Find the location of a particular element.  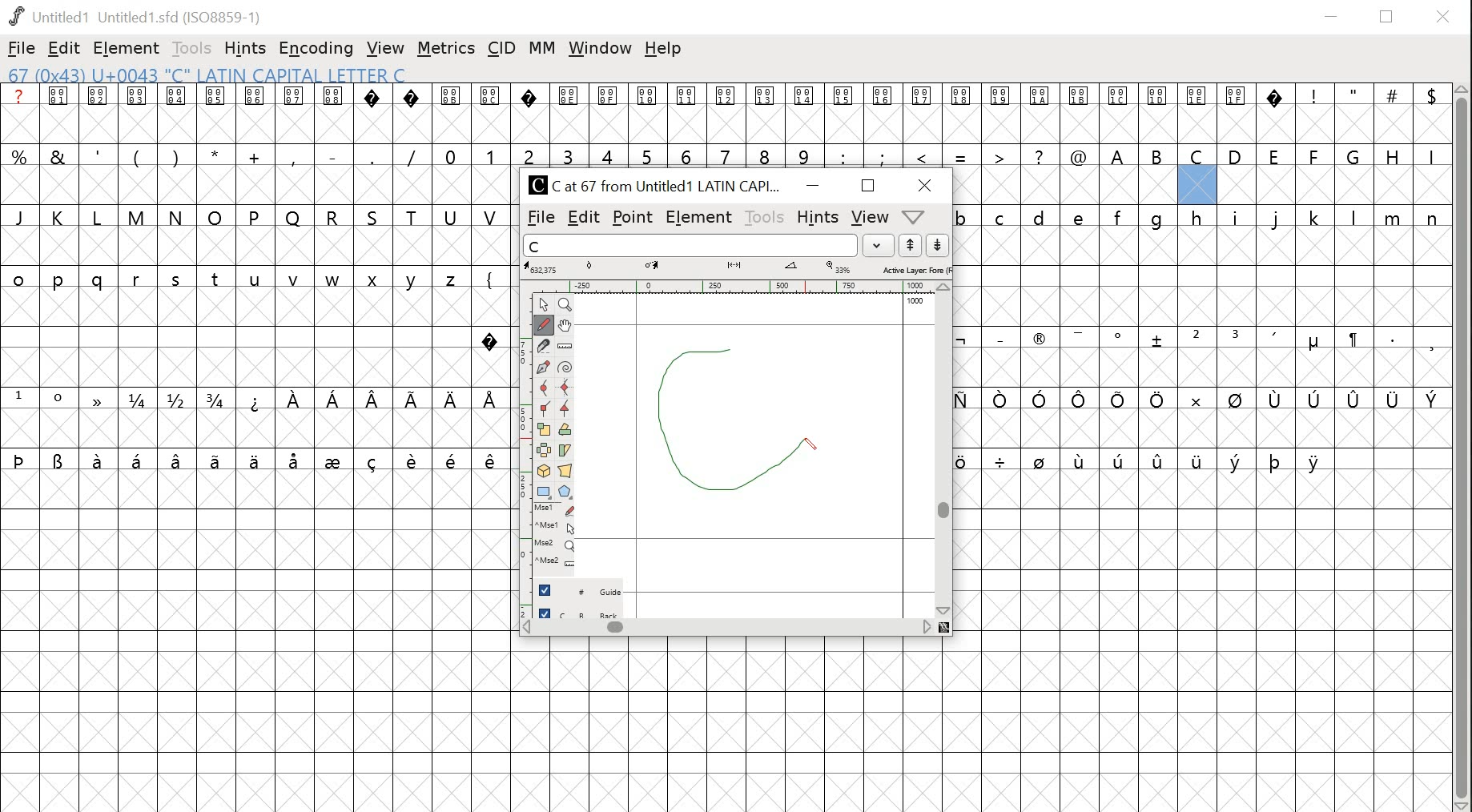

skew is located at coordinates (568, 450).